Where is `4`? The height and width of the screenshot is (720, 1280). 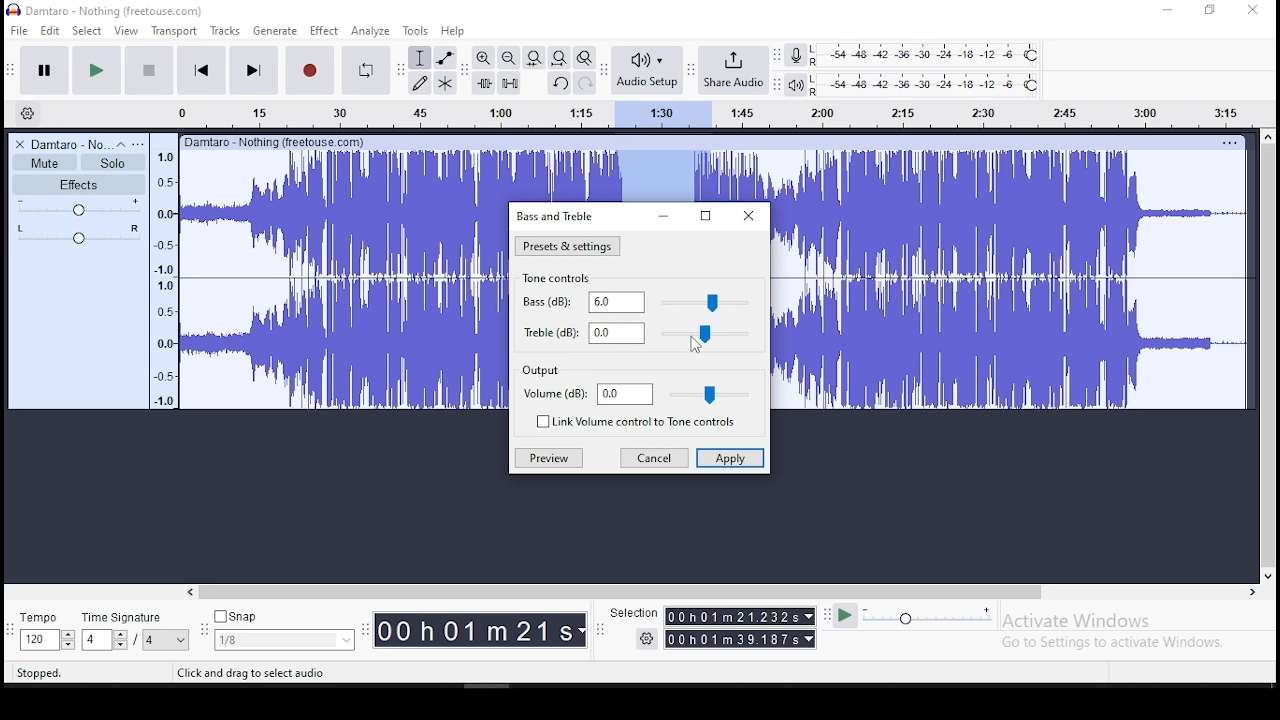 4 is located at coordinates (94, 640).